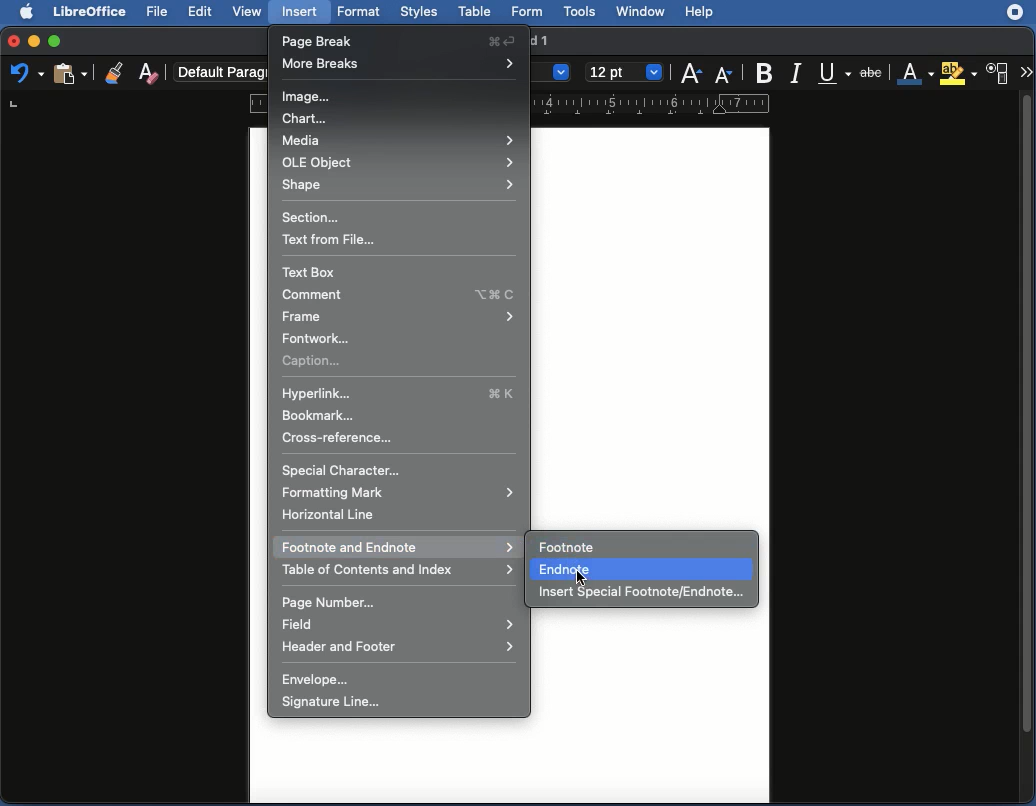 Image resolution: width=1036 pixels, height=806 pixels. What do you see at coordinates (300, 12) in the screenshot?
I see `insert` at bounding box center [300, 12].